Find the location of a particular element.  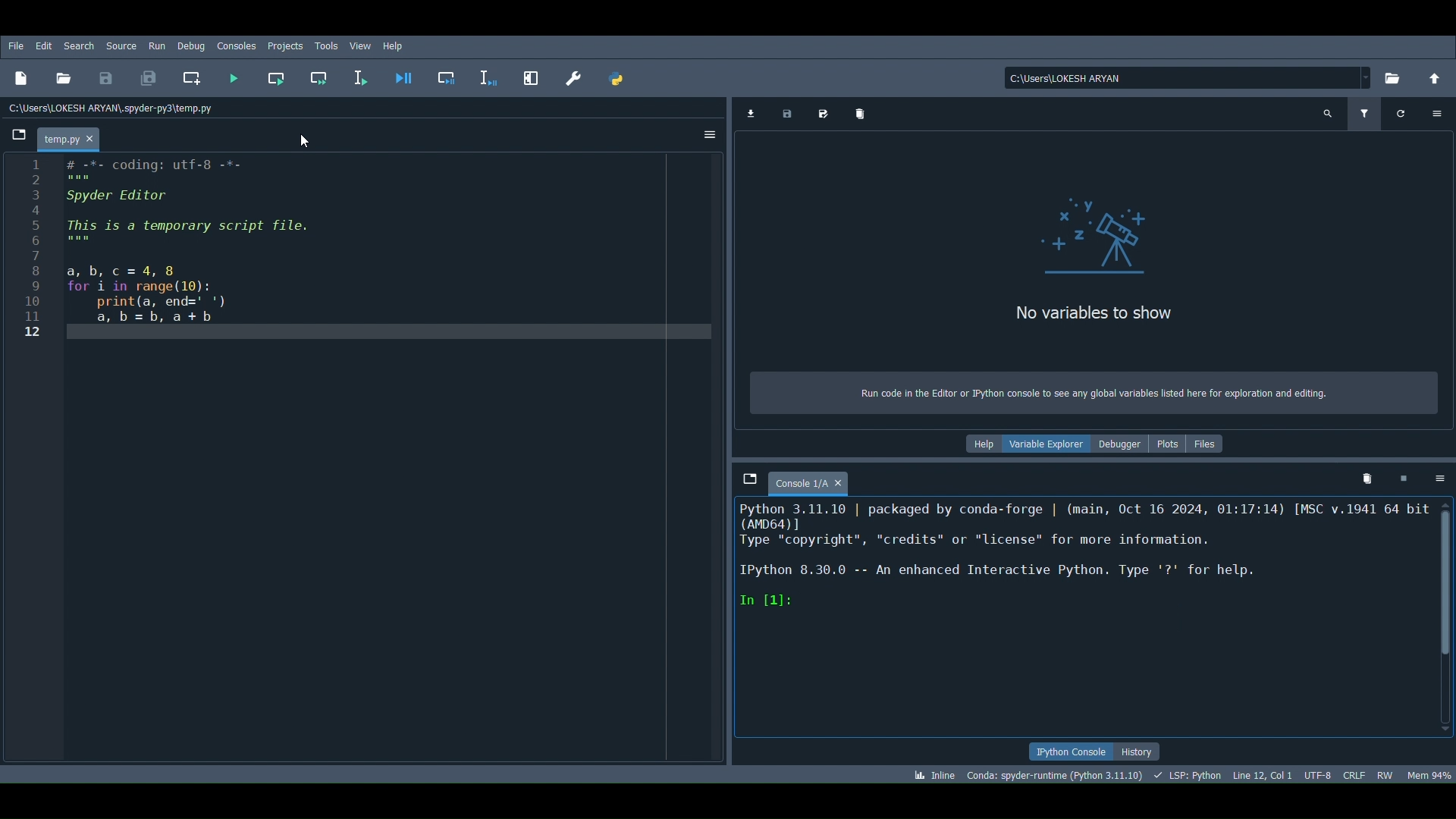

Save data is located at coordinates (786, 115).